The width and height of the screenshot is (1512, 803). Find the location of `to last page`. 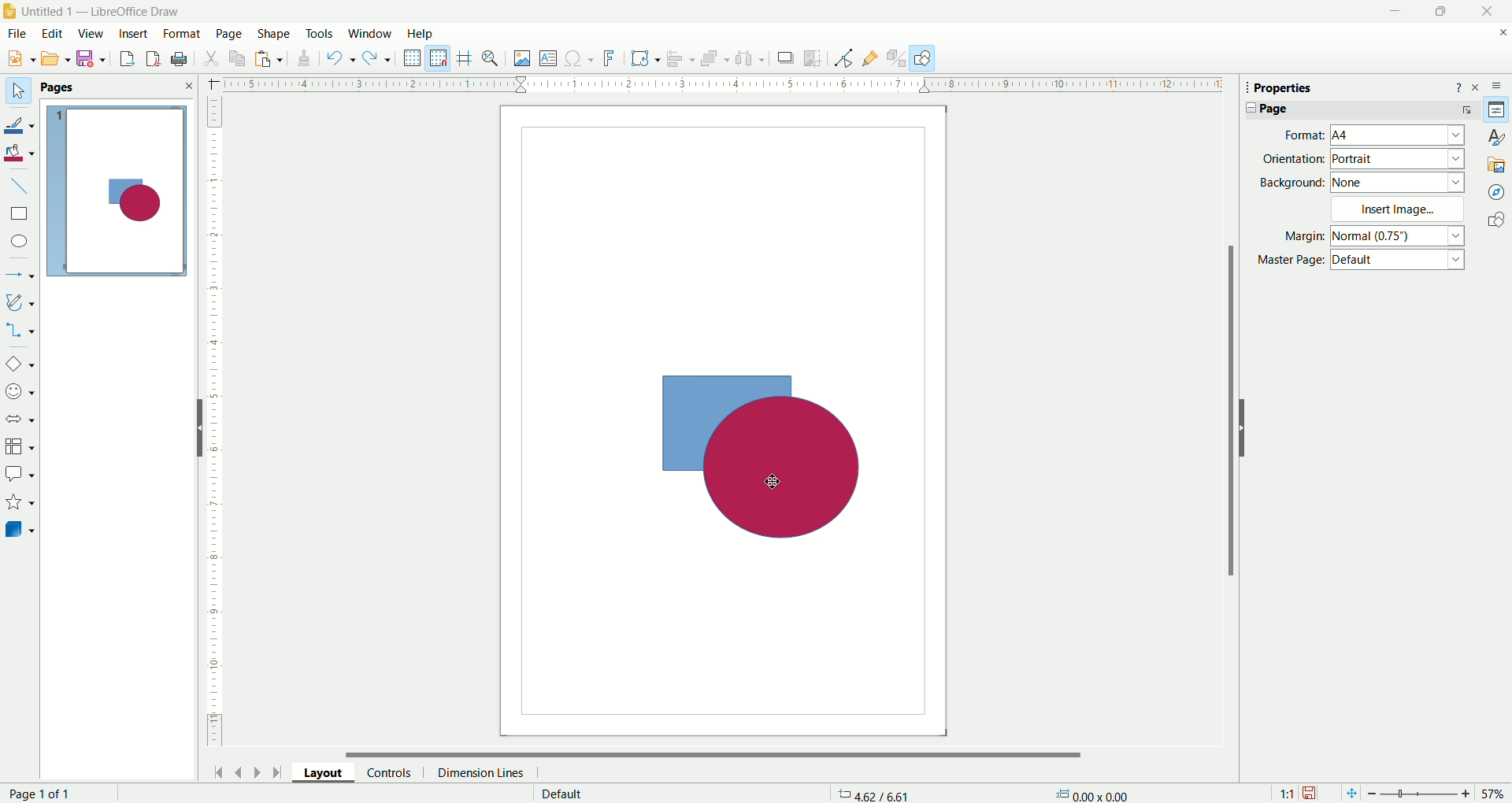

to last page is located at coordinates (276, 774).